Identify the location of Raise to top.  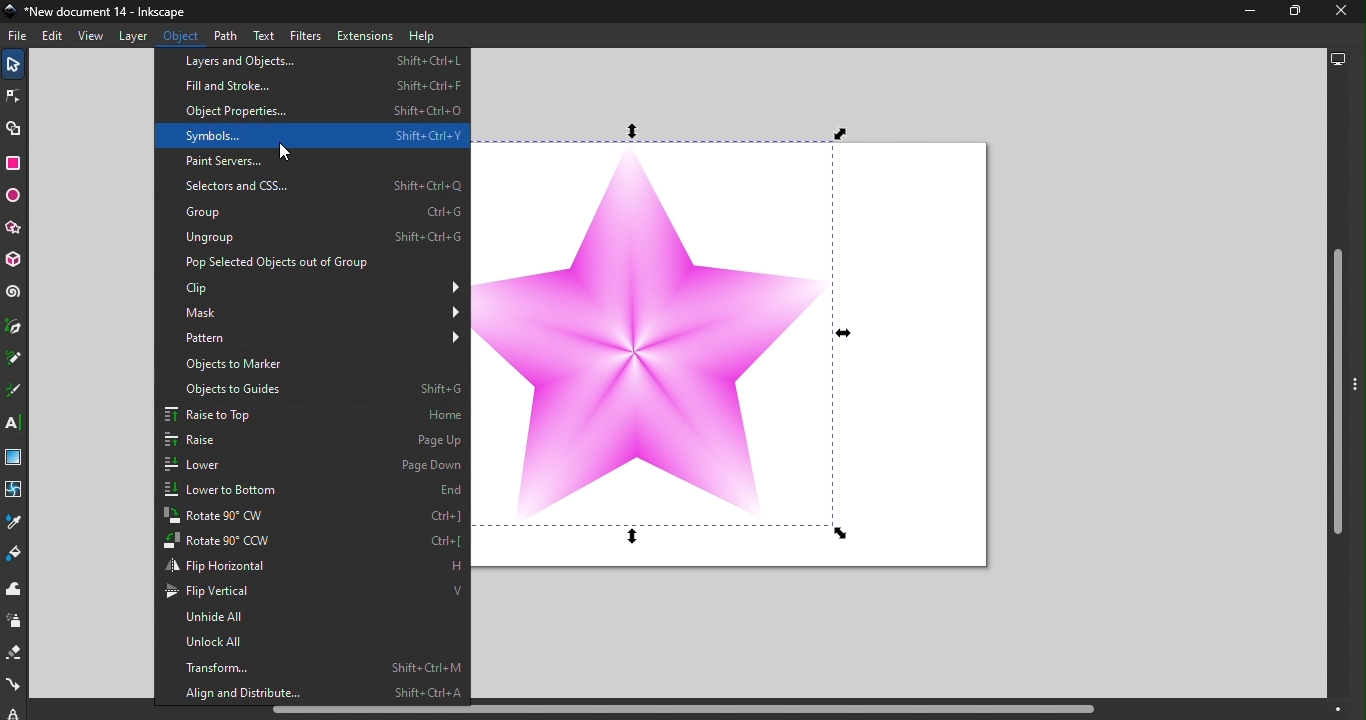
(309, 415).